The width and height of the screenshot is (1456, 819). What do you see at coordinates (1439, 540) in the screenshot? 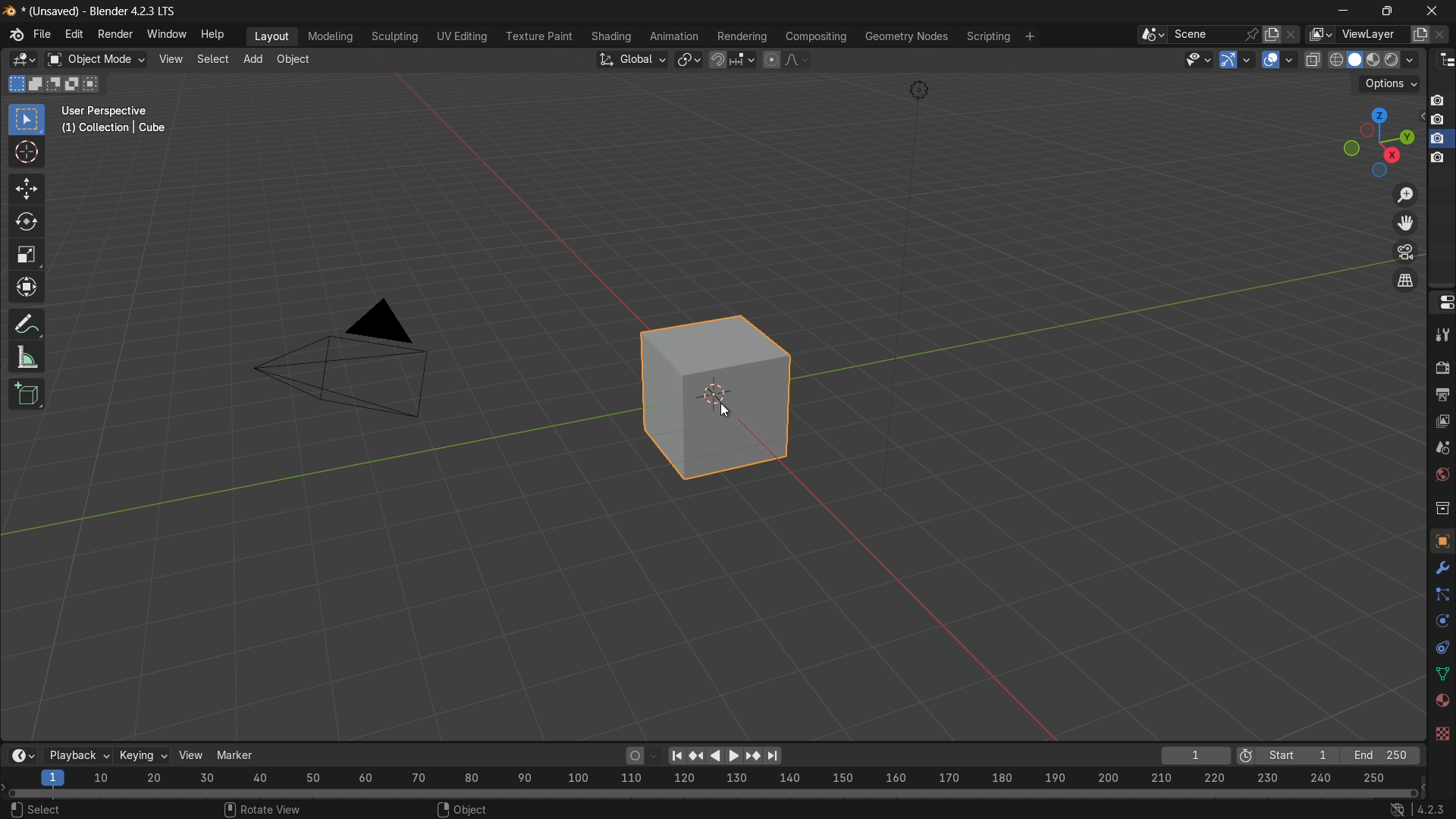
I see `object` at bounding box center [1439, 540].